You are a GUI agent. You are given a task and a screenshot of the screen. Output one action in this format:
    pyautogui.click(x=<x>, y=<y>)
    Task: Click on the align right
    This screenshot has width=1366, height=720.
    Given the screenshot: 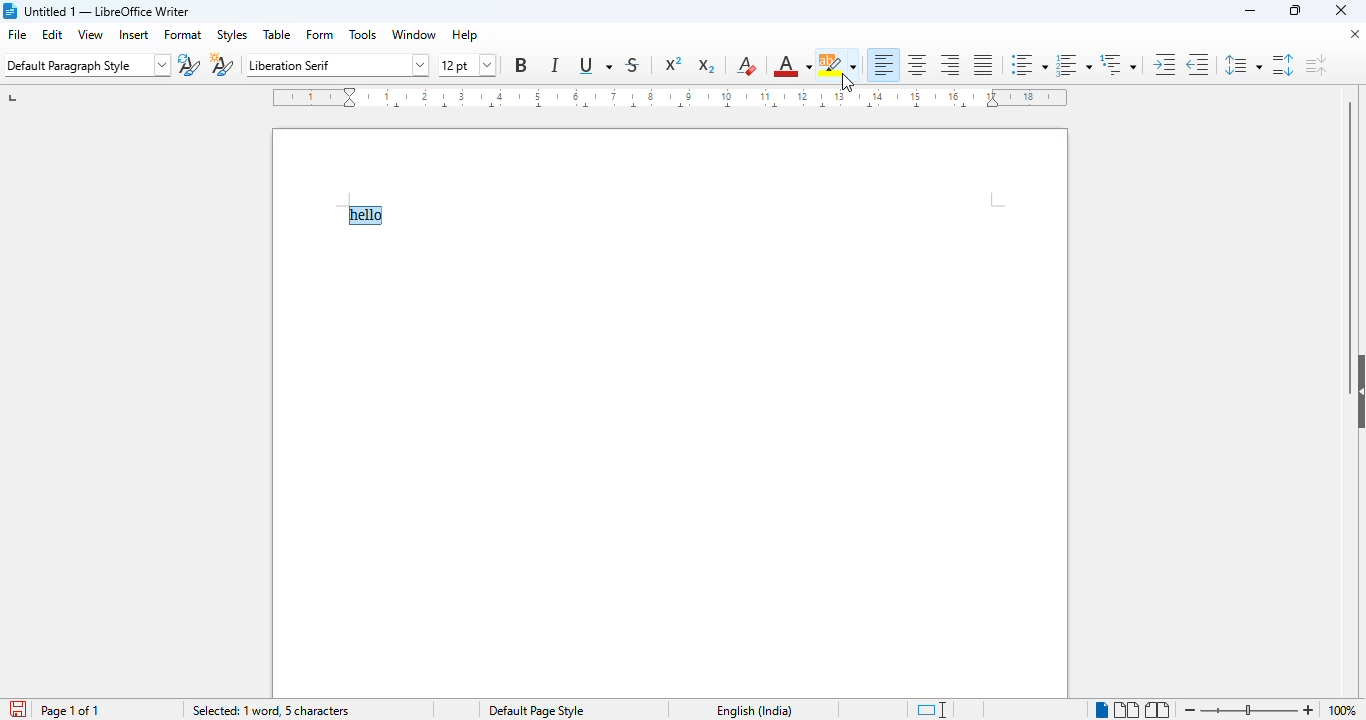 What is the action you would take?
    pyautogui.click(x=951, y=66)
    